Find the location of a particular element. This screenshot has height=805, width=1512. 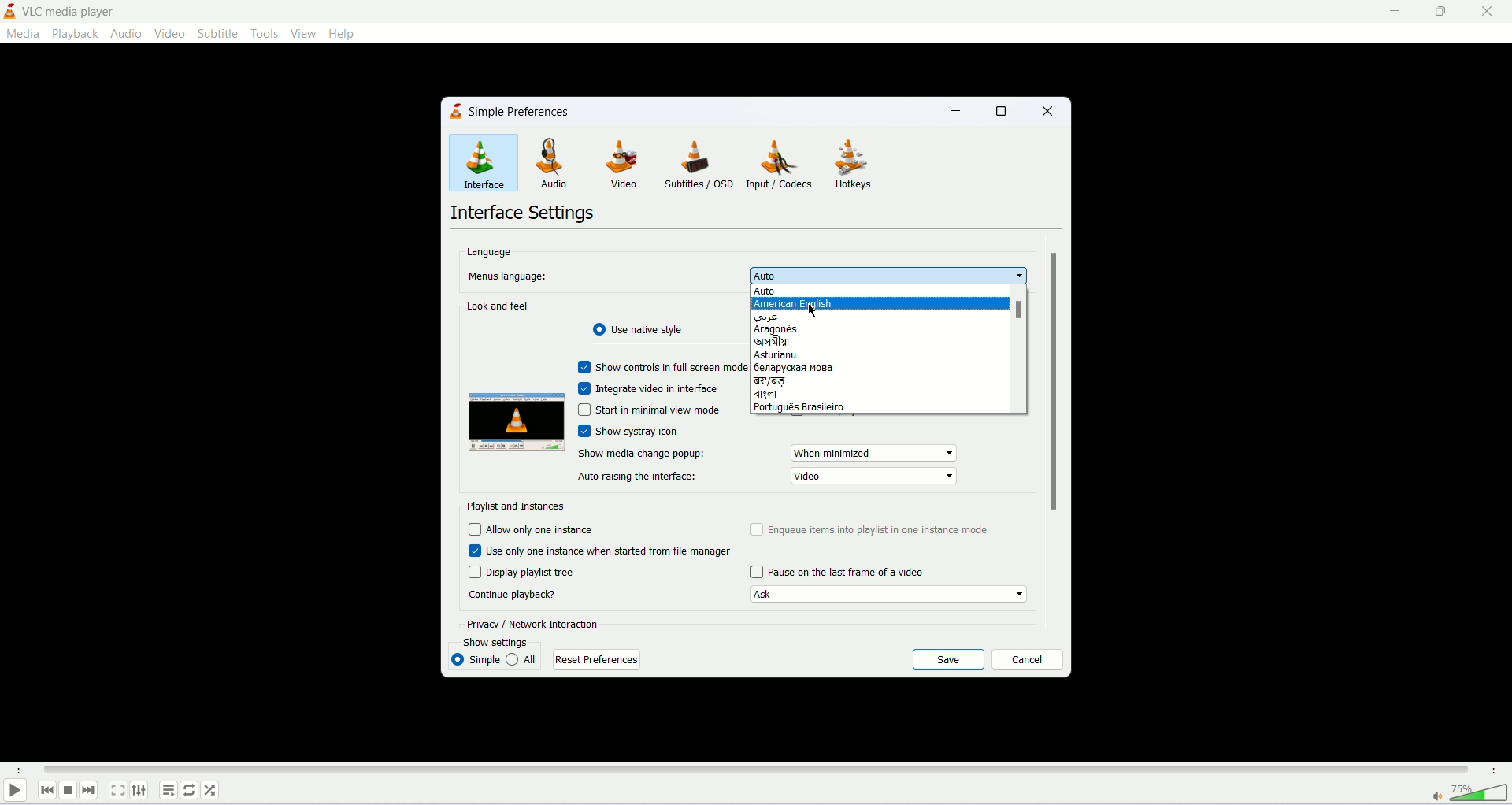

auto is located at coordinates (888, 276).